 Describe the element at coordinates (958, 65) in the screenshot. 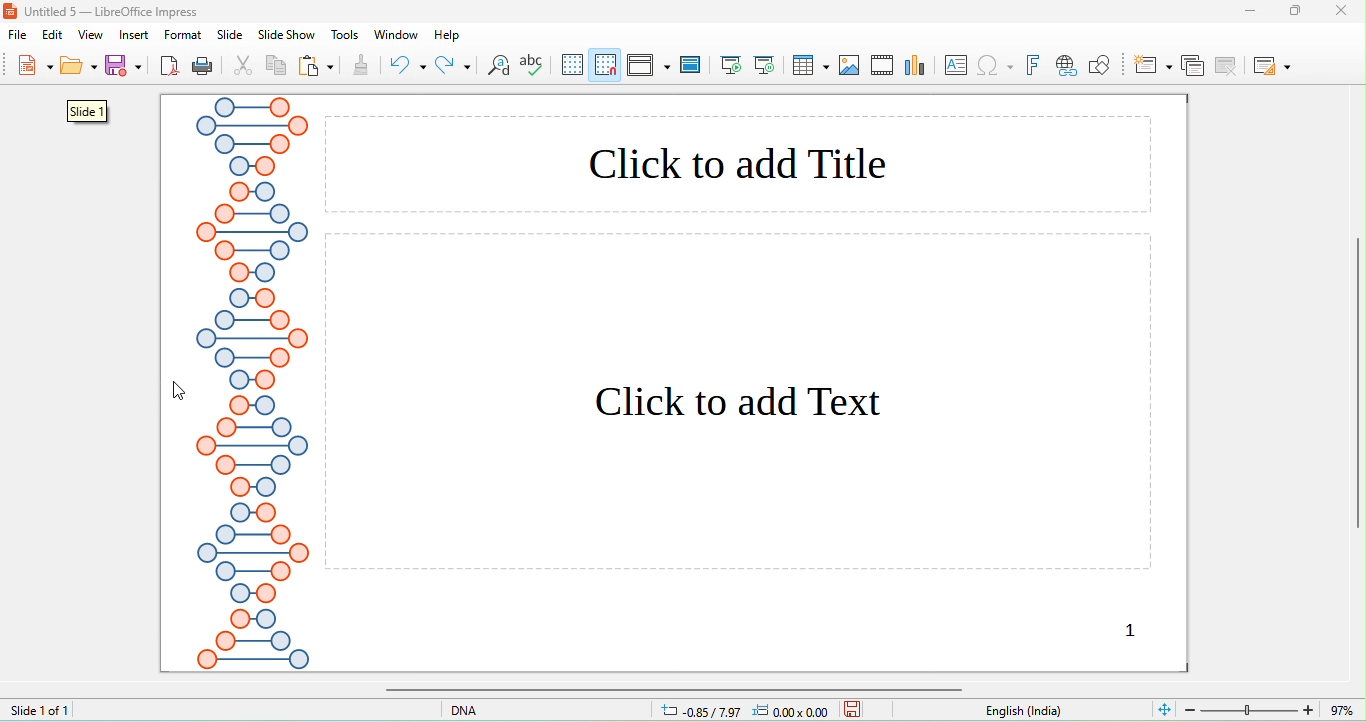

I see `text box` at that location.